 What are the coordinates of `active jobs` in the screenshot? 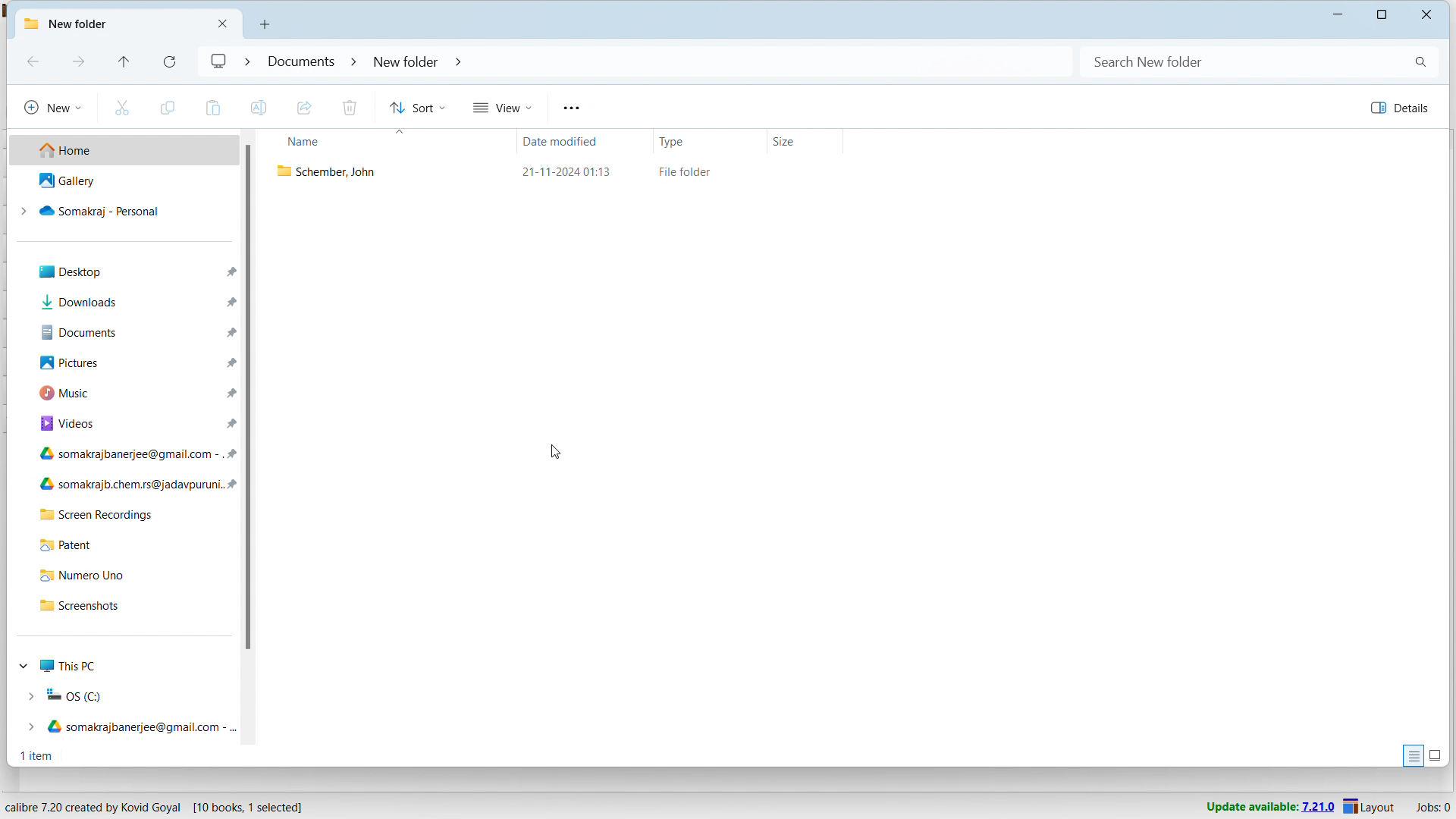 It's located at (1432, 808).